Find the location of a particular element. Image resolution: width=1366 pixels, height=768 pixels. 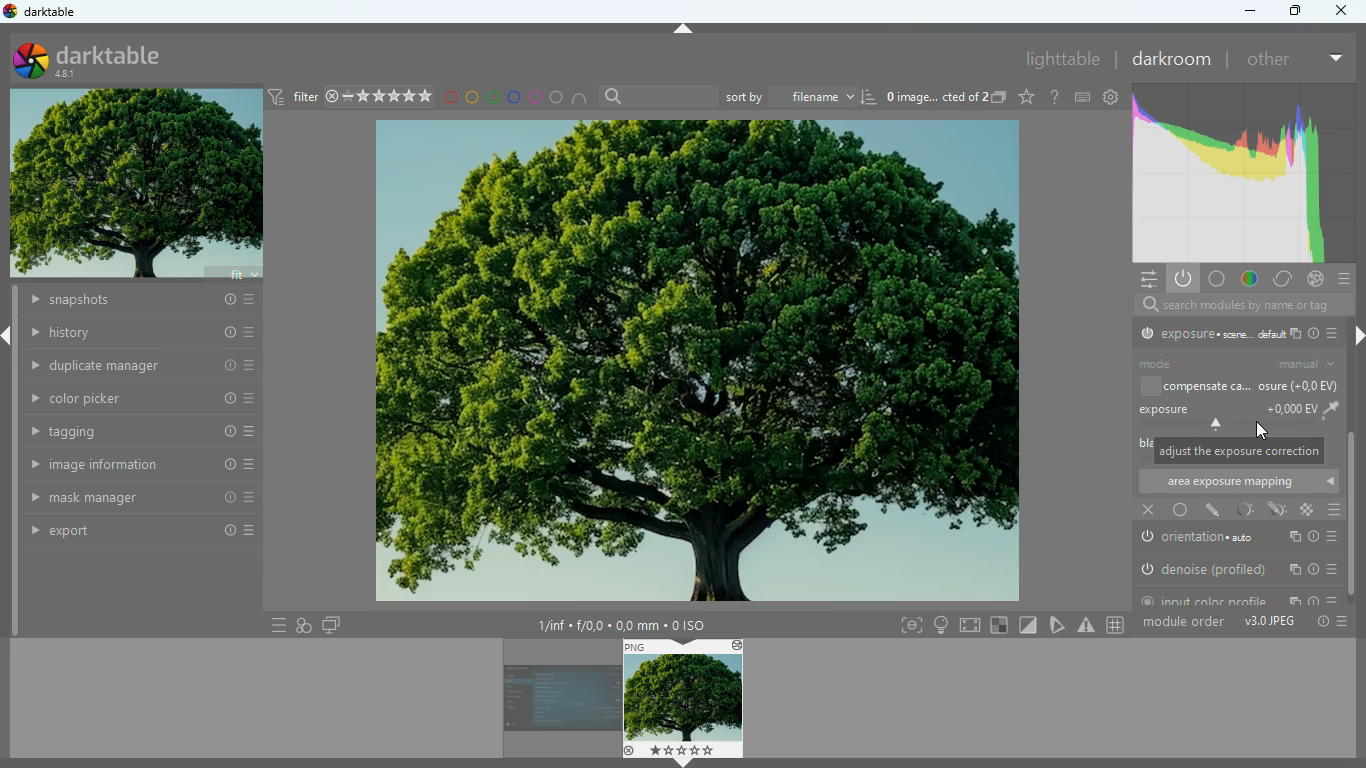

denoise is located at coordinates (1239, 568).